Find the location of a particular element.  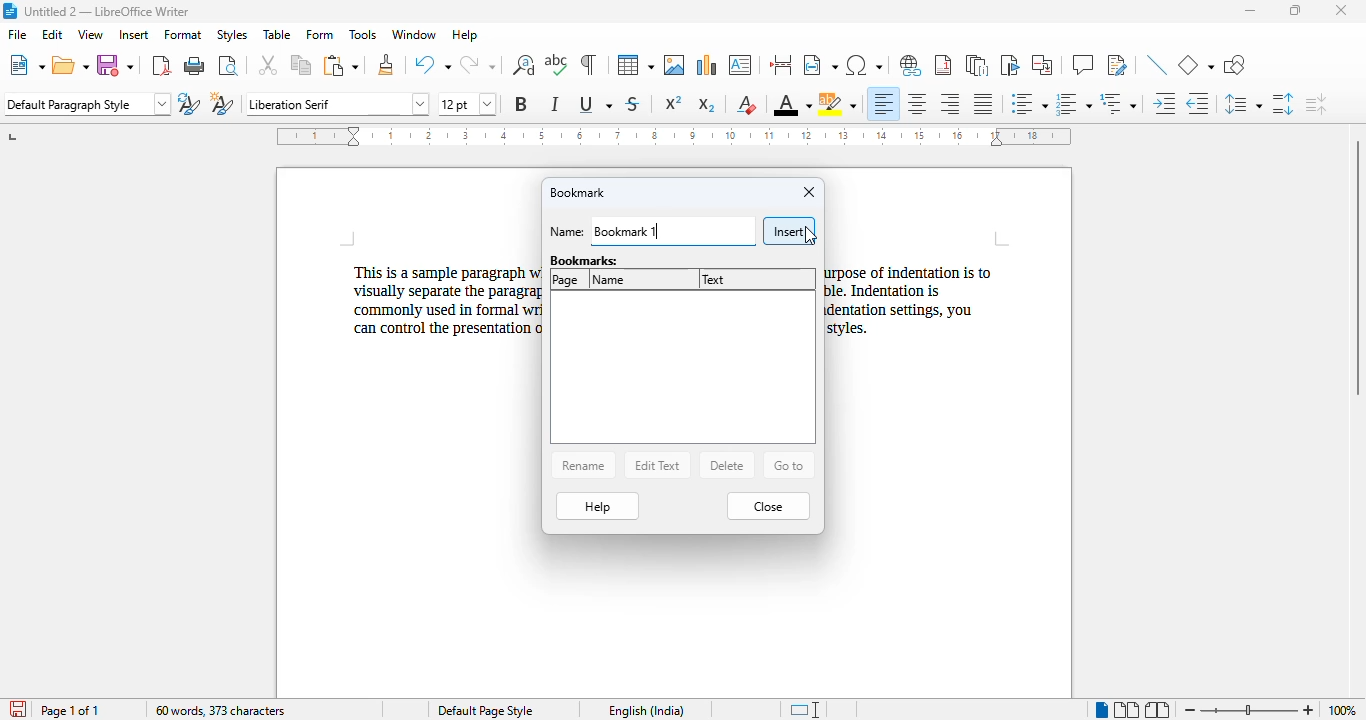

save is located at coordinates (115, 66).